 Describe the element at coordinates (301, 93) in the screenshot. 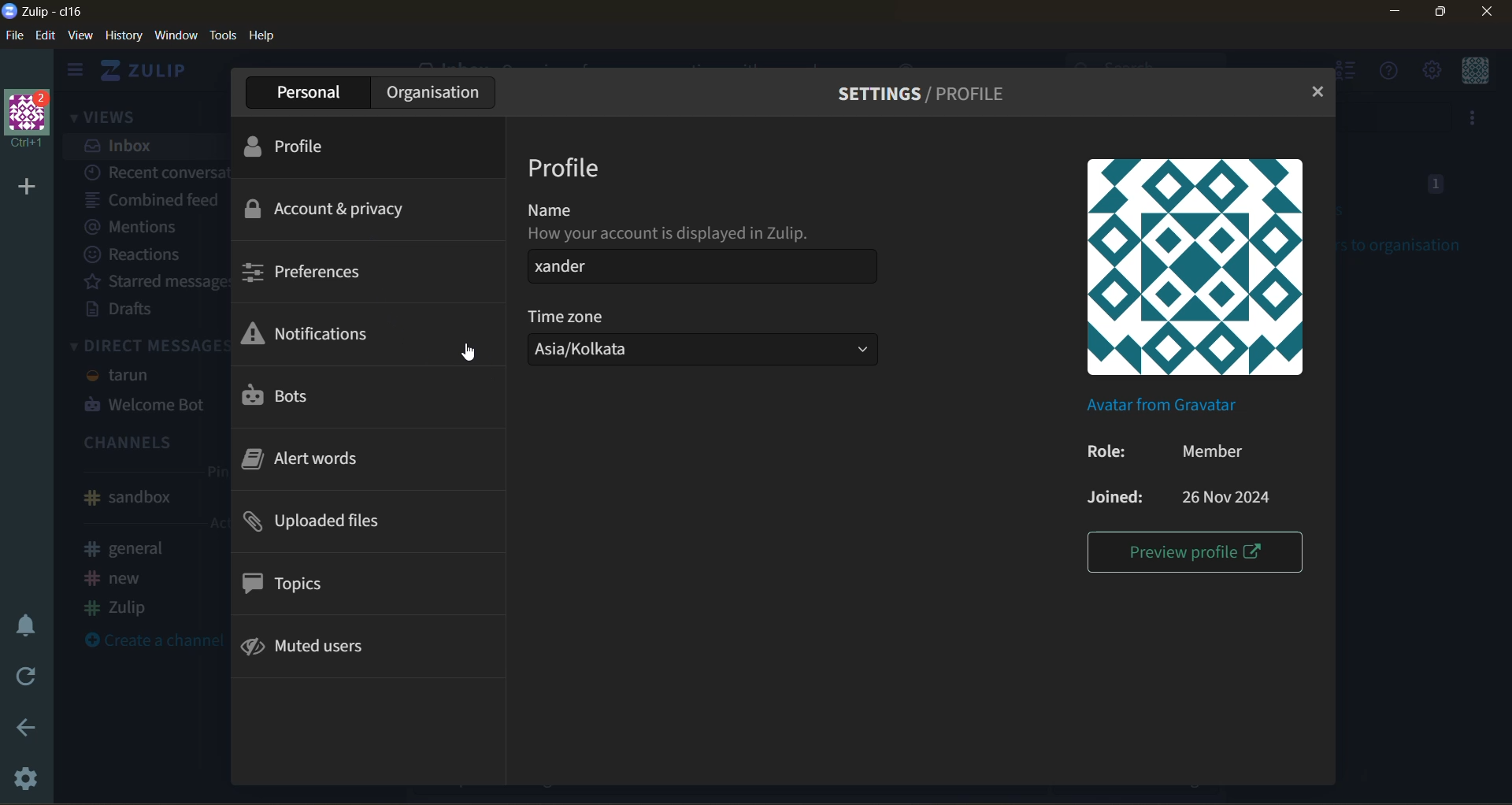

I see `personal` at that location.